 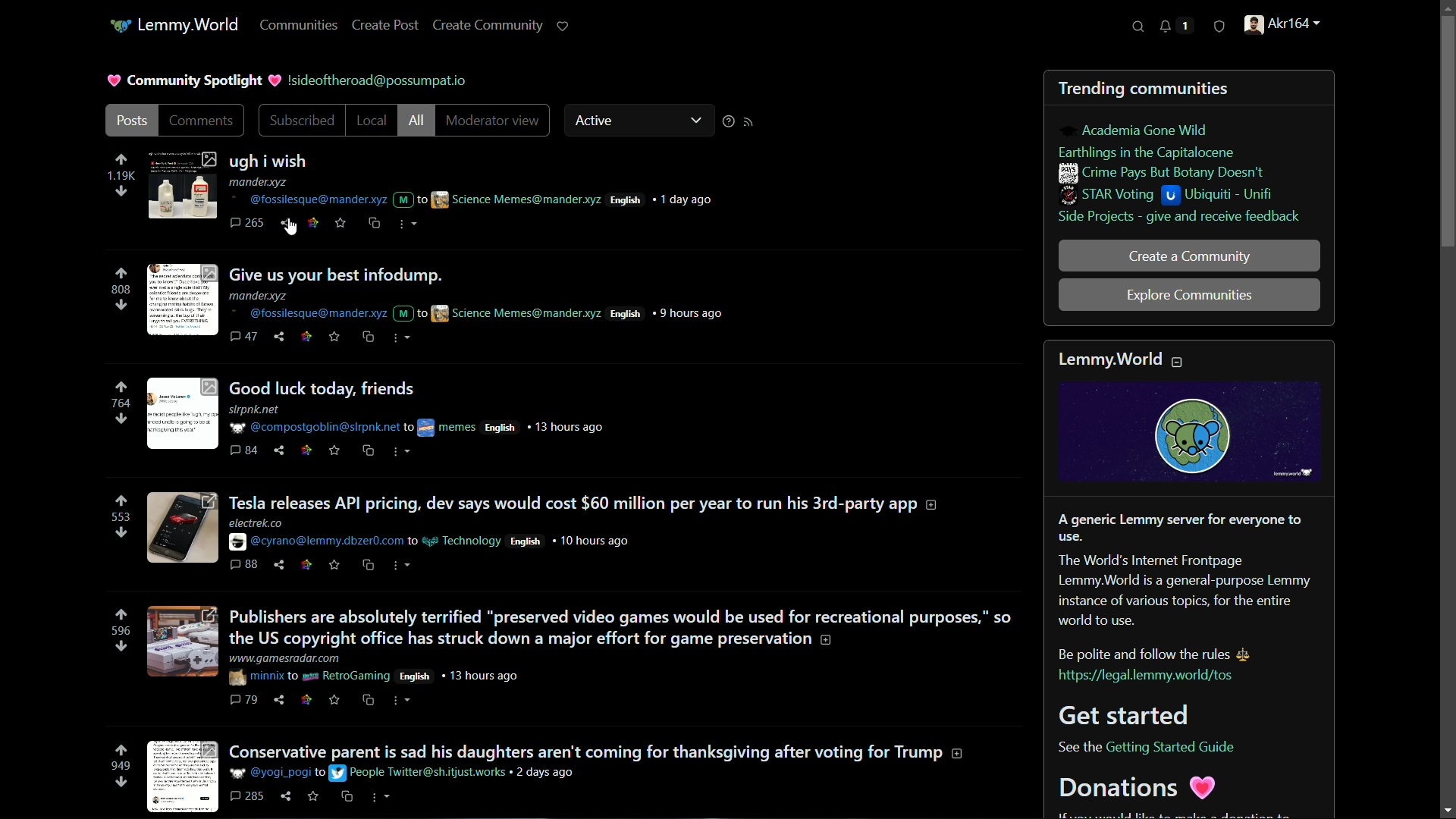 I want to click on www.gamesradar.com, so click(x=287, y=658).